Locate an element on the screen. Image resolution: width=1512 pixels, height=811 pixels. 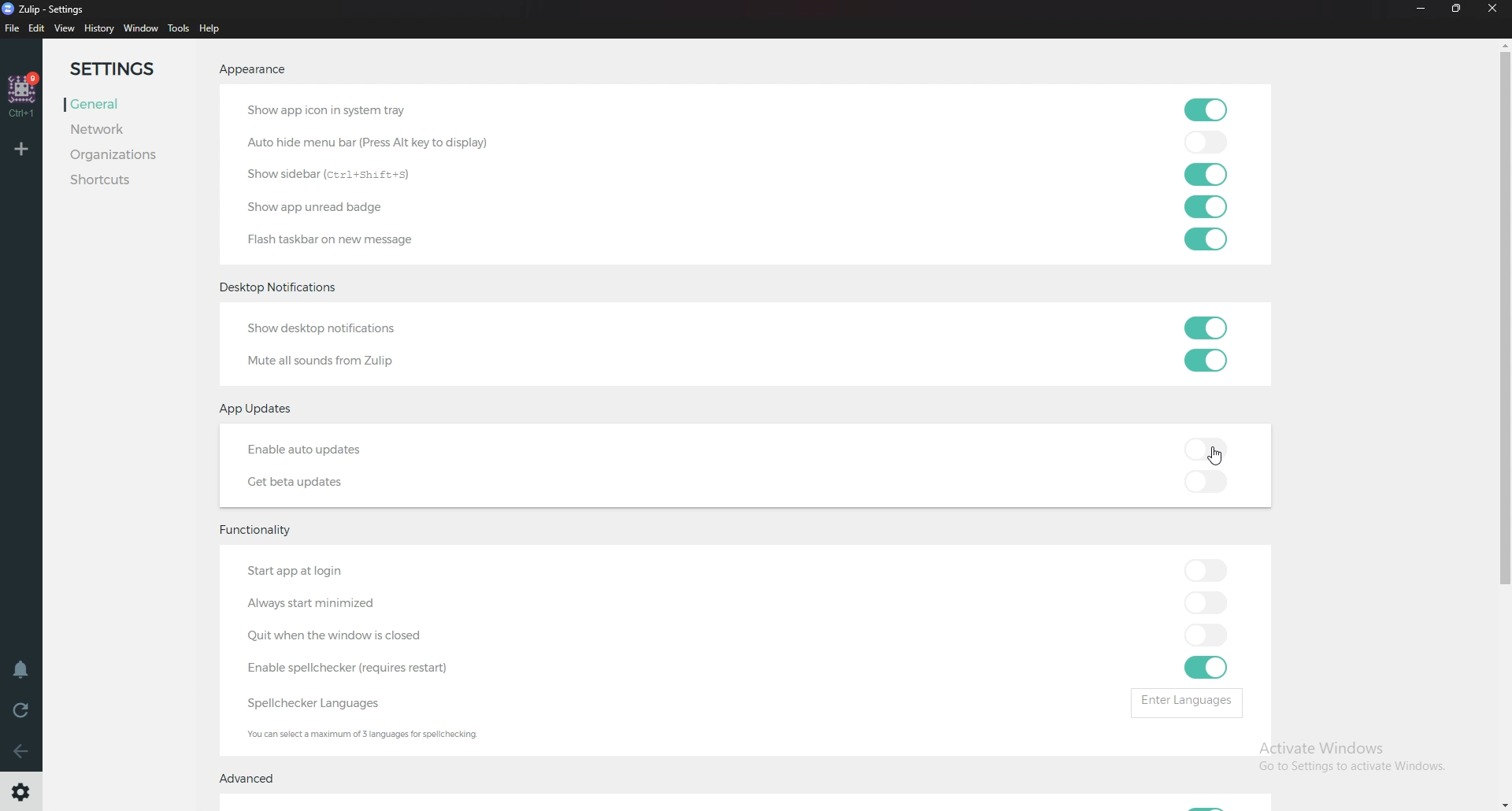
Show desktop notifications is located at coordinates (336, 328).